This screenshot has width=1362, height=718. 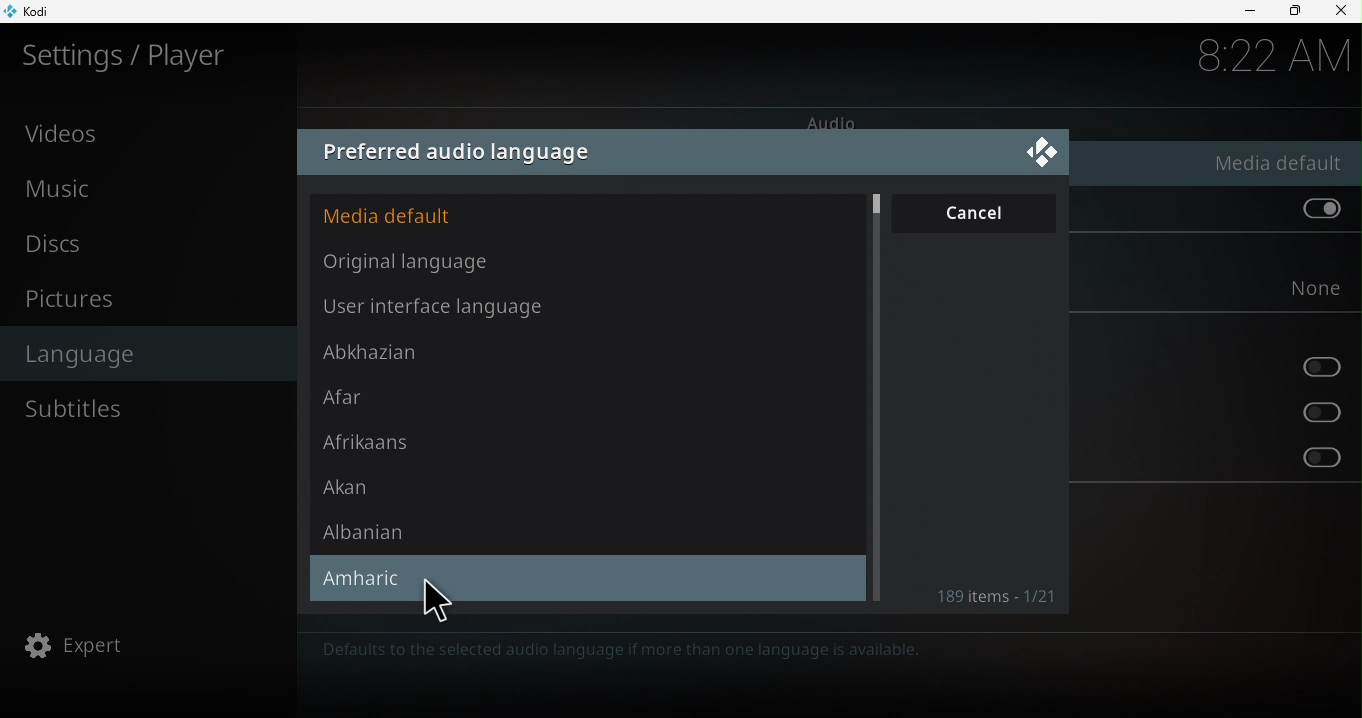 I want to click on Prefer audio stream for the visually impaired, so click(x=1312, y=369).